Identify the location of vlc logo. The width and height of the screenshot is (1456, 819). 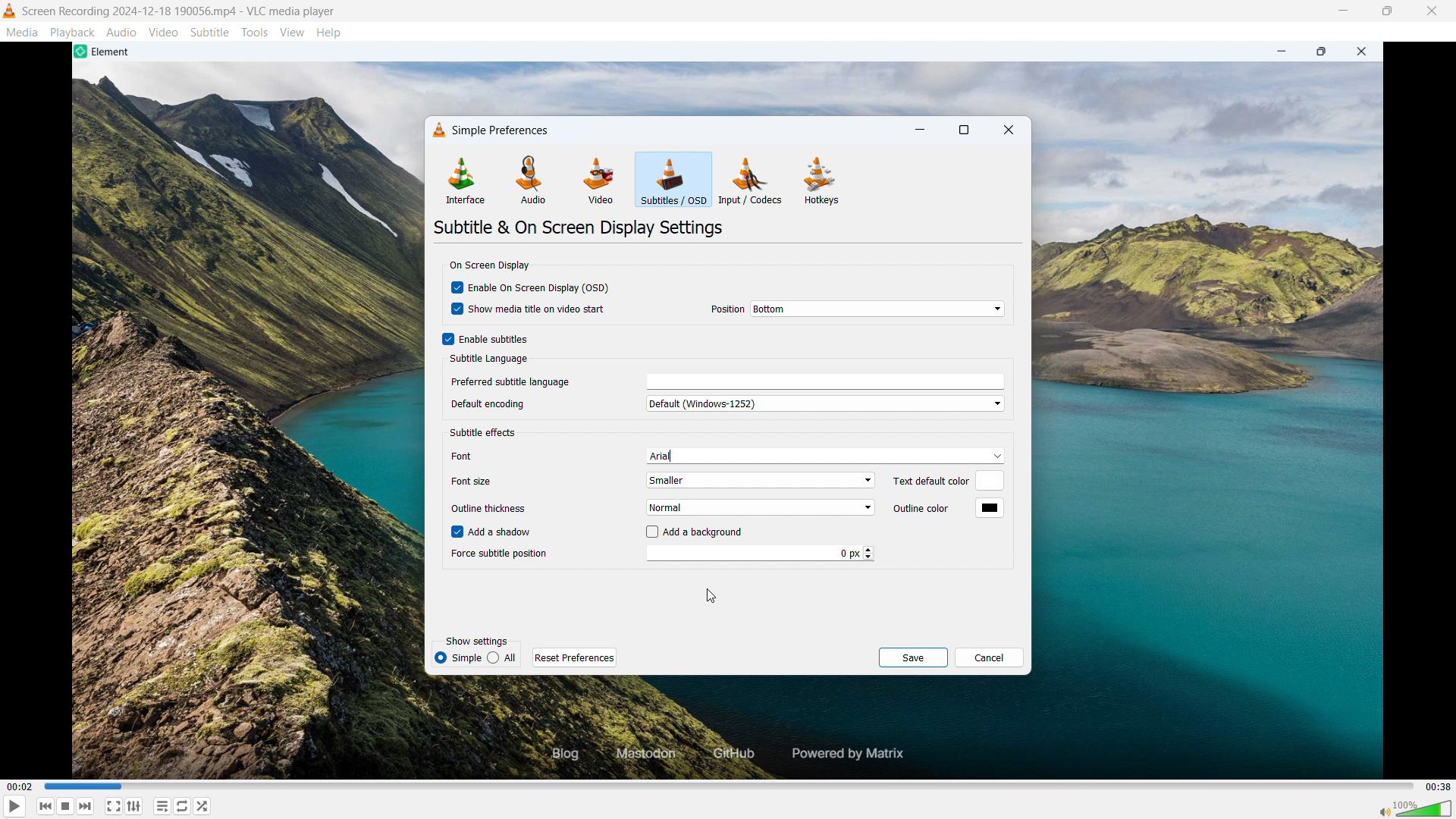
(440, 130).